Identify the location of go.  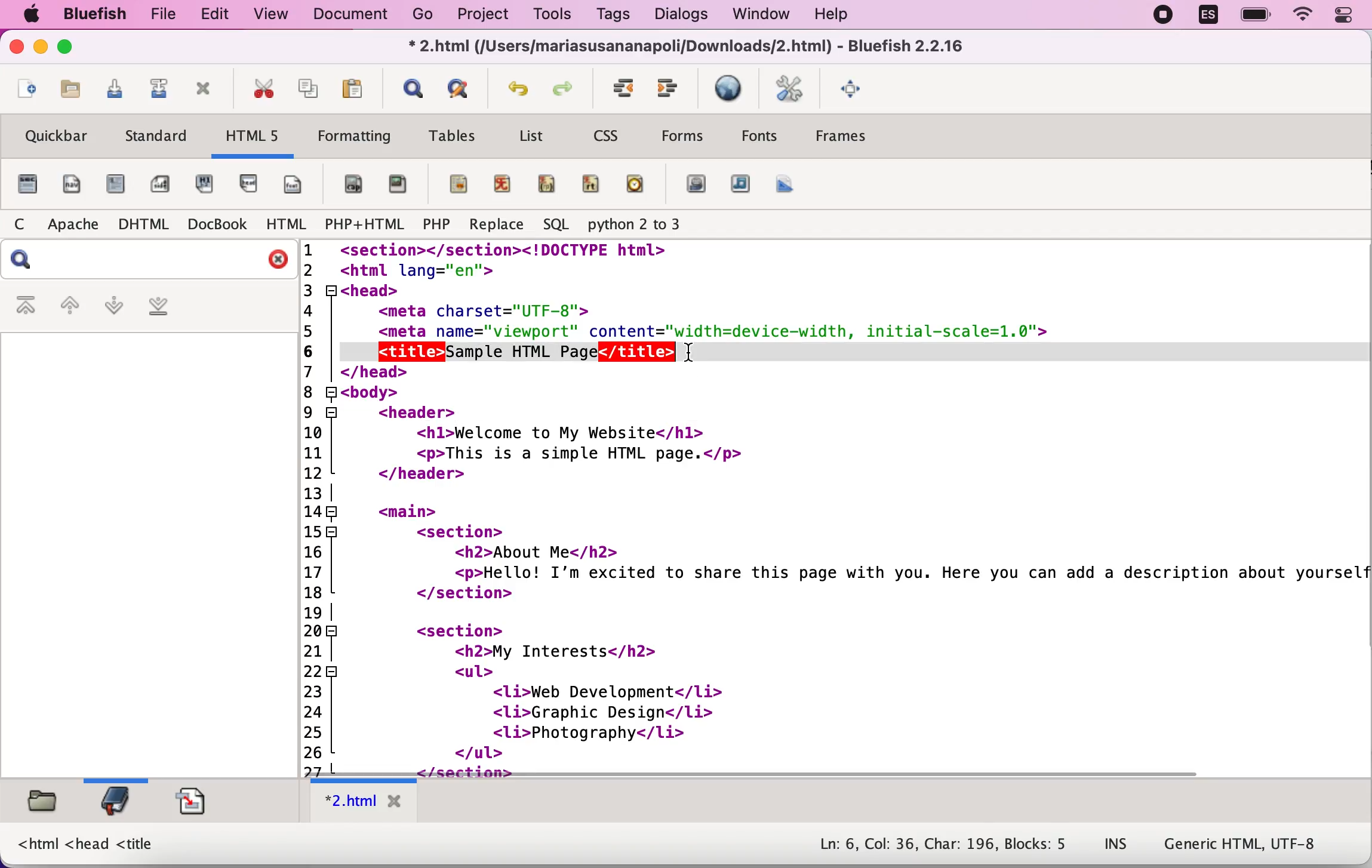
(424, 17).